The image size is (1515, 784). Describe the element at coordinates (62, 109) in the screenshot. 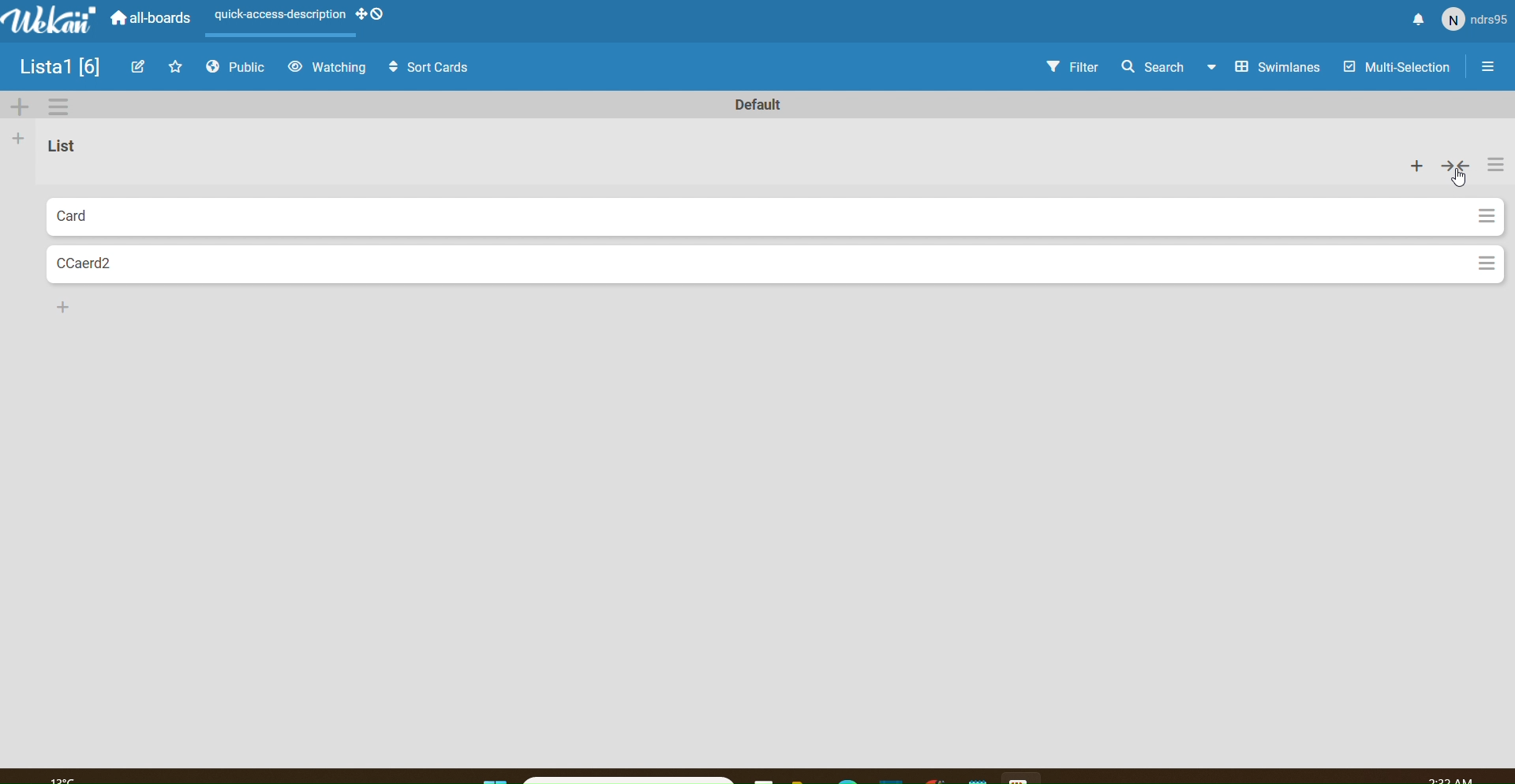

I see `Settings` at that location.